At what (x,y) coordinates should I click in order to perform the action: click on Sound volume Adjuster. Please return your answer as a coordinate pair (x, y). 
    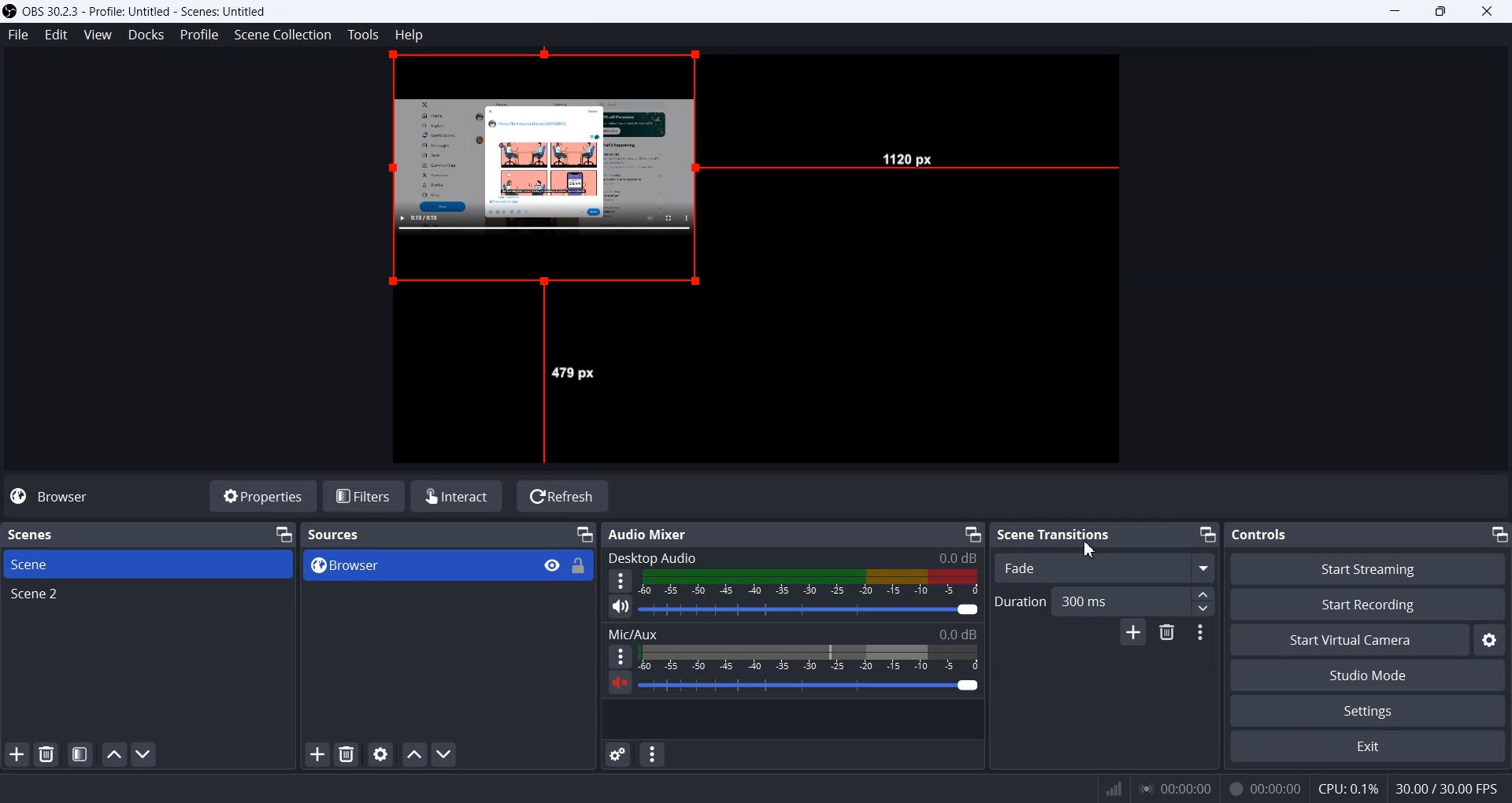
    Looking at the image, I should click on (810, 609).